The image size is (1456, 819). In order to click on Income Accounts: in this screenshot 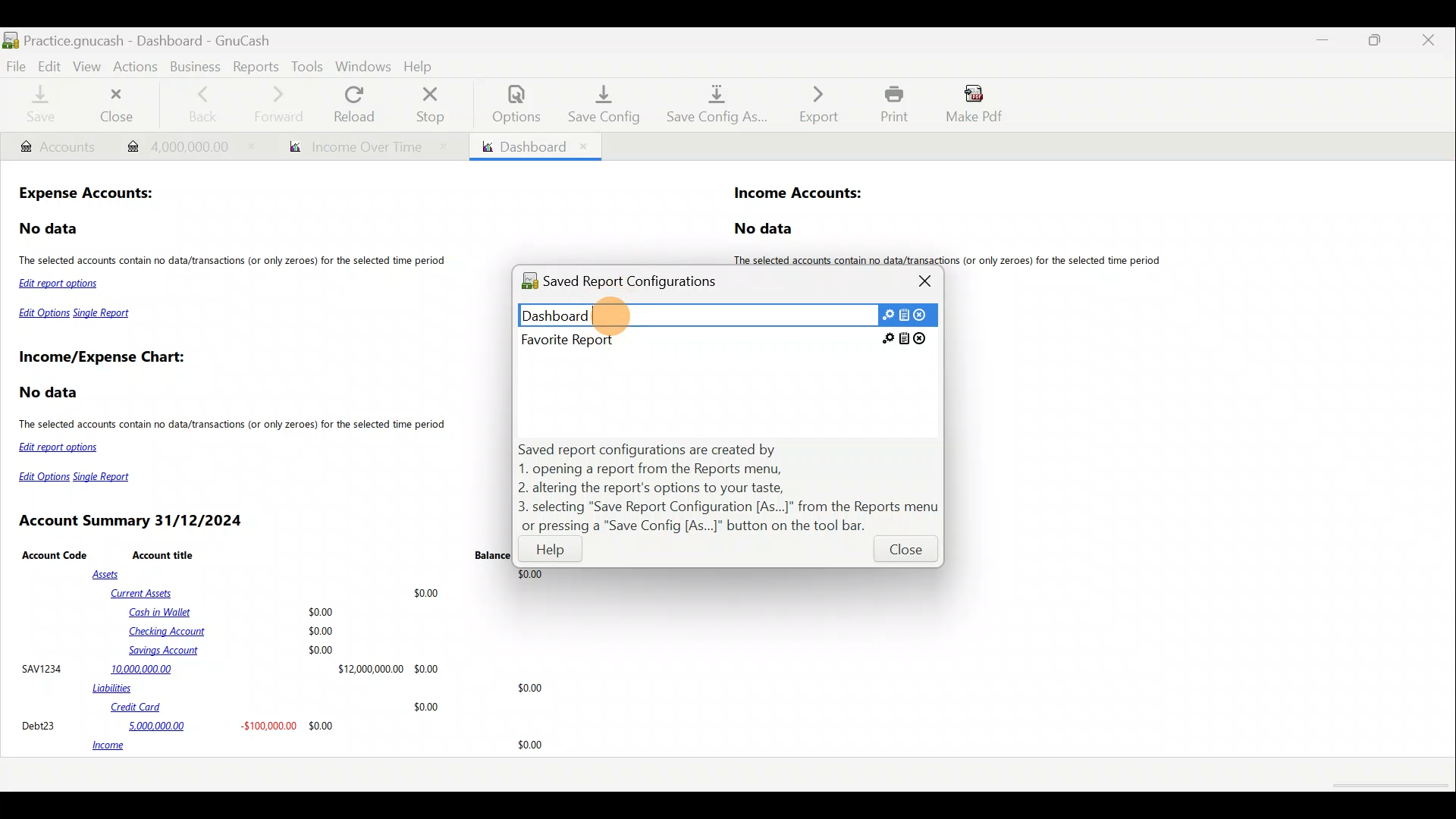, I will do `click(799, 194)`.